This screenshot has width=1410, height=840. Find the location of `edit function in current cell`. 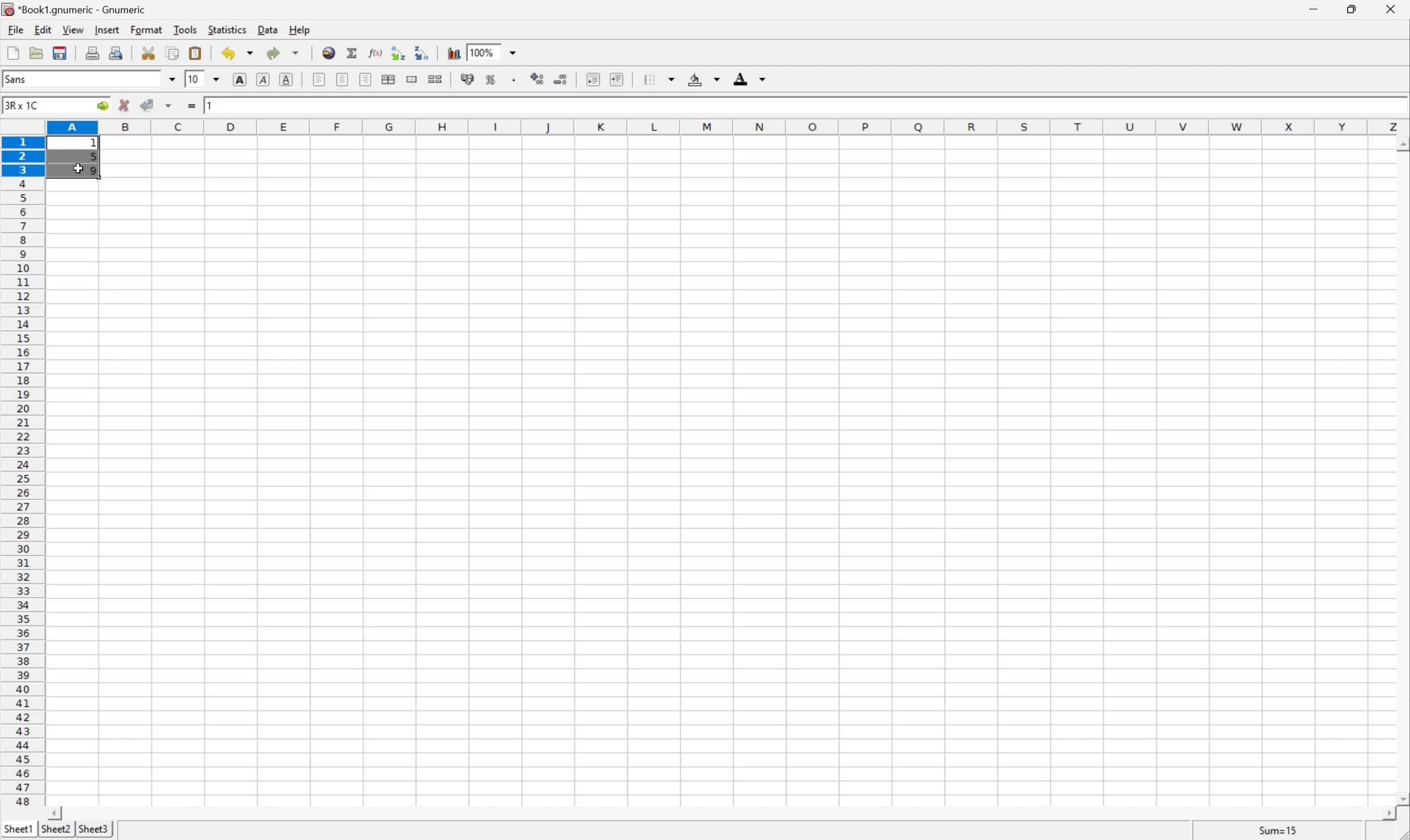

edit function in current cell is located at coordinates (377, 52).